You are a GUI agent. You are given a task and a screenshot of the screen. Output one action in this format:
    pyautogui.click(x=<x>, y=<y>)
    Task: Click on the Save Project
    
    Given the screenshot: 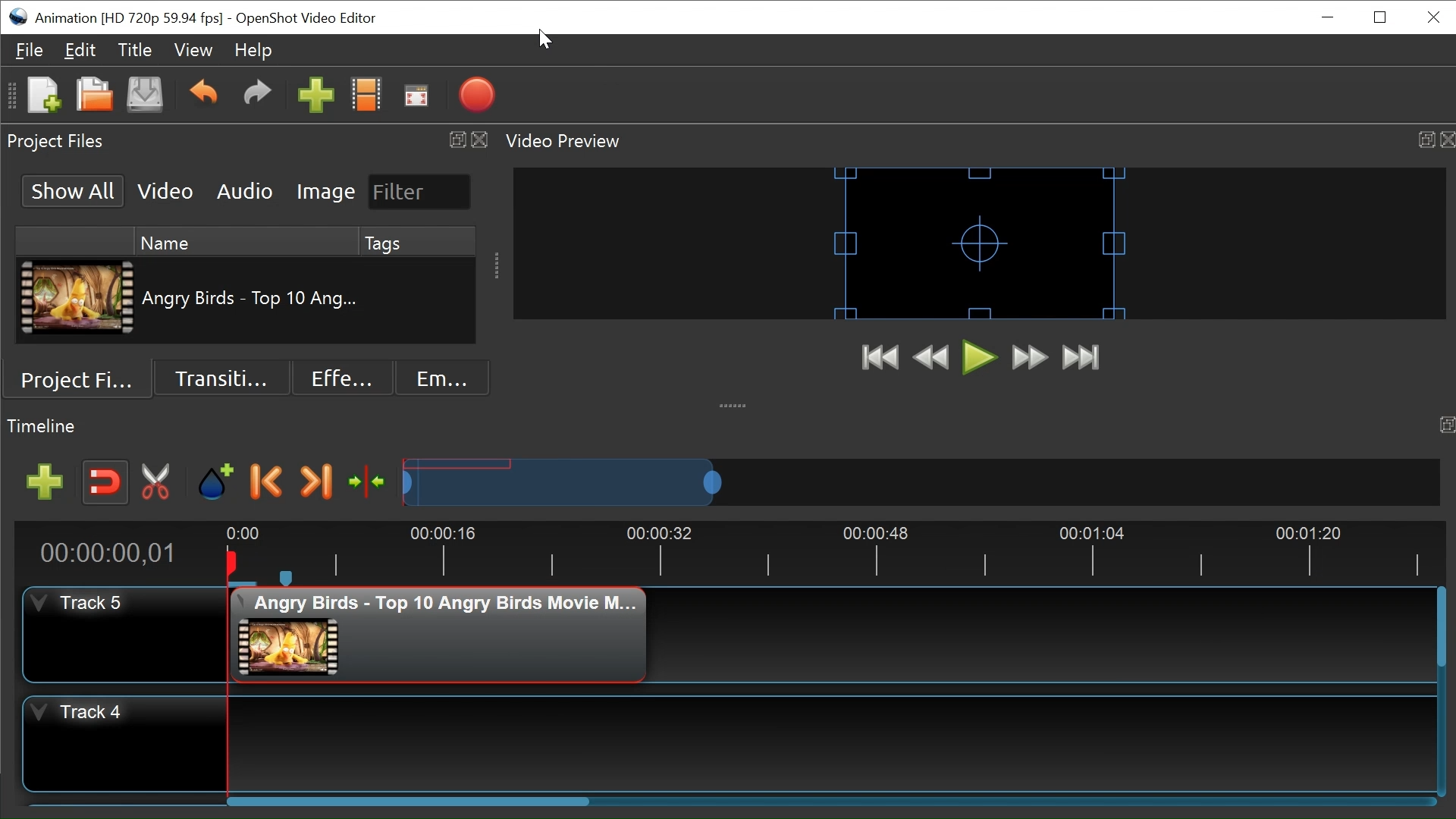 What is the action you would take?
    pyautogui.click(x=145, y=96)
    